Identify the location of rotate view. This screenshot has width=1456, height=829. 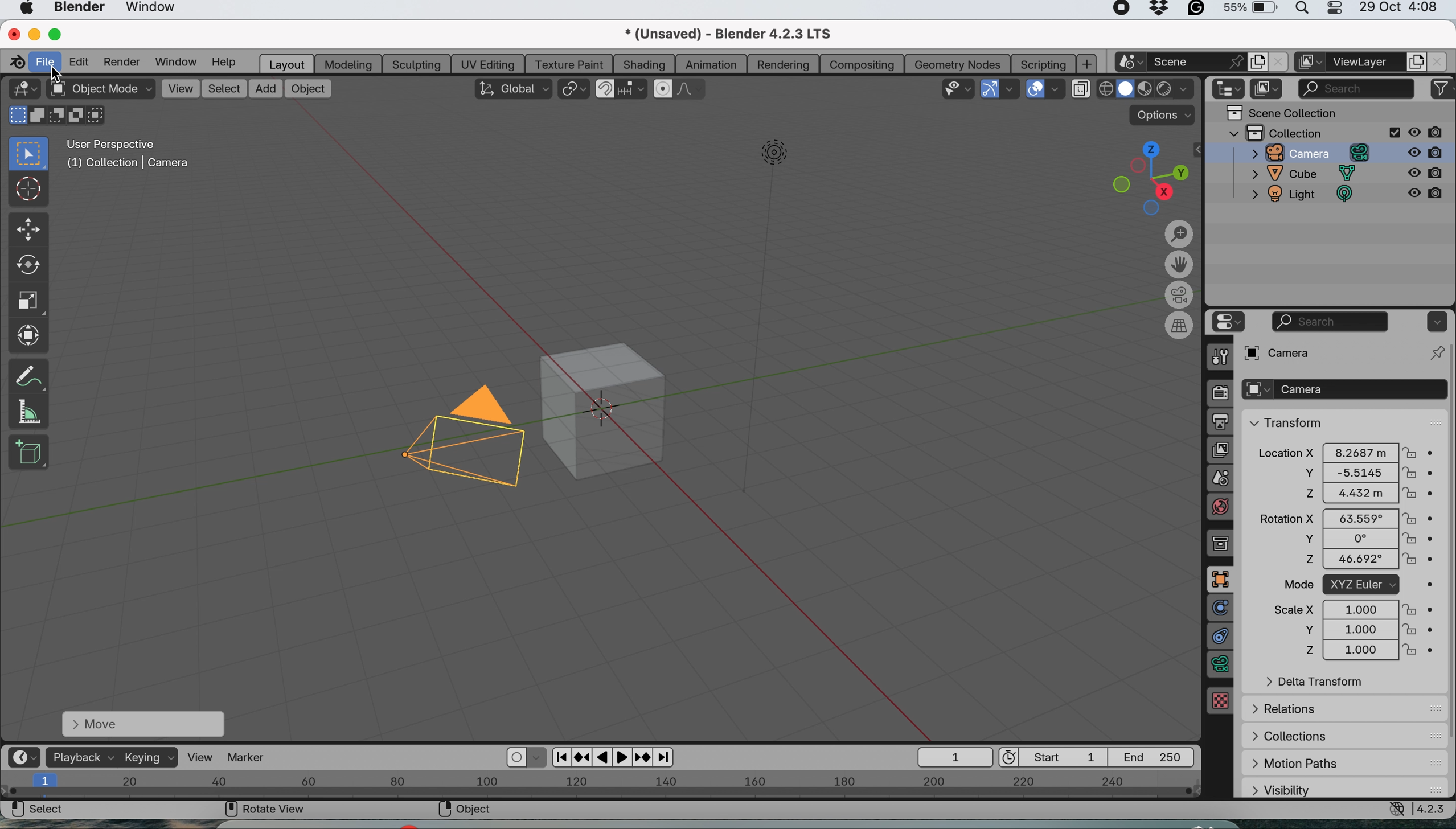
(266, 808).